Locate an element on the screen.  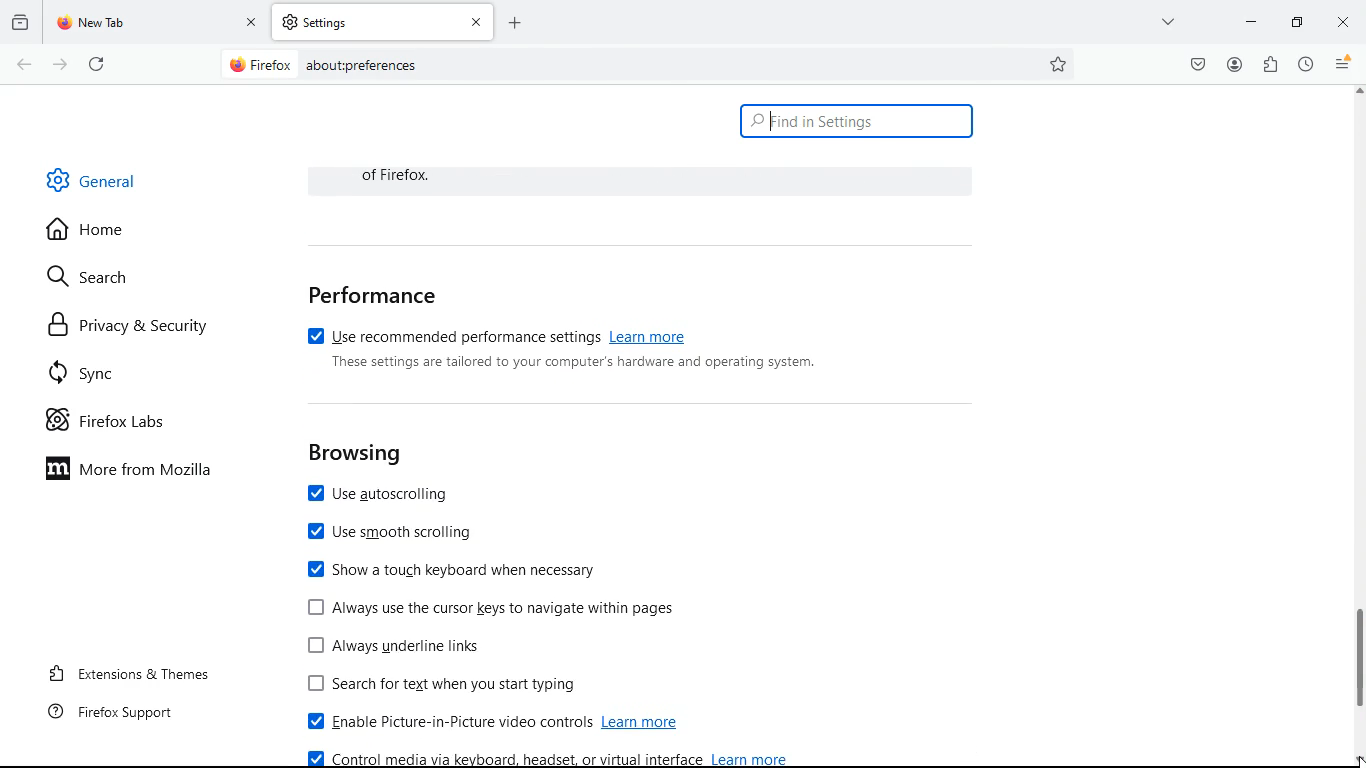
more from mozilla is located at coordinates (141, 472).